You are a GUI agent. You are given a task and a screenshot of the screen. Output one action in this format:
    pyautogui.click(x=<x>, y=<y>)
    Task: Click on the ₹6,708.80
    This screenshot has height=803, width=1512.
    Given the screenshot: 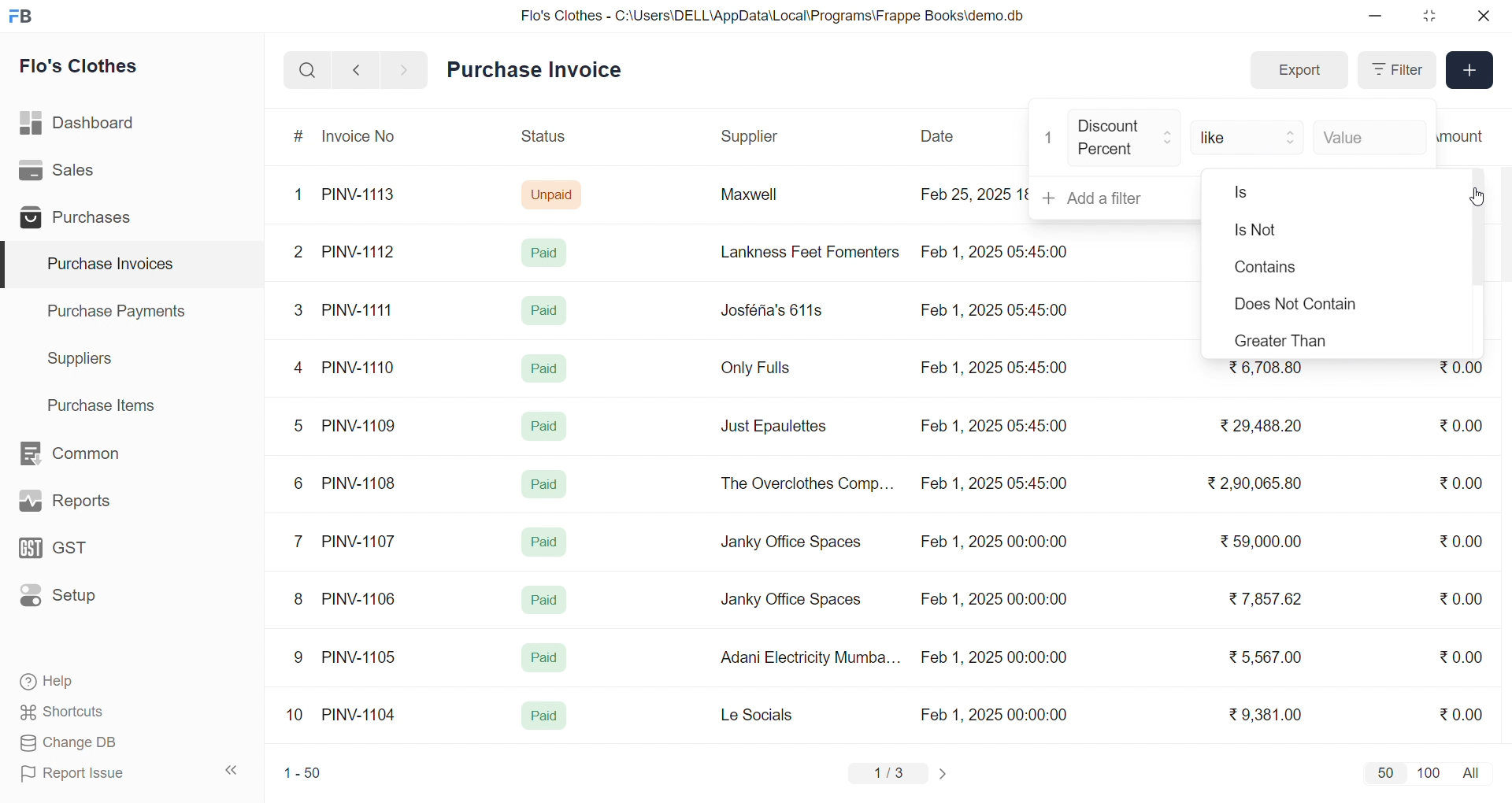 What is the action you would take?
    pyautogui.click(x=1265, y=368)
    